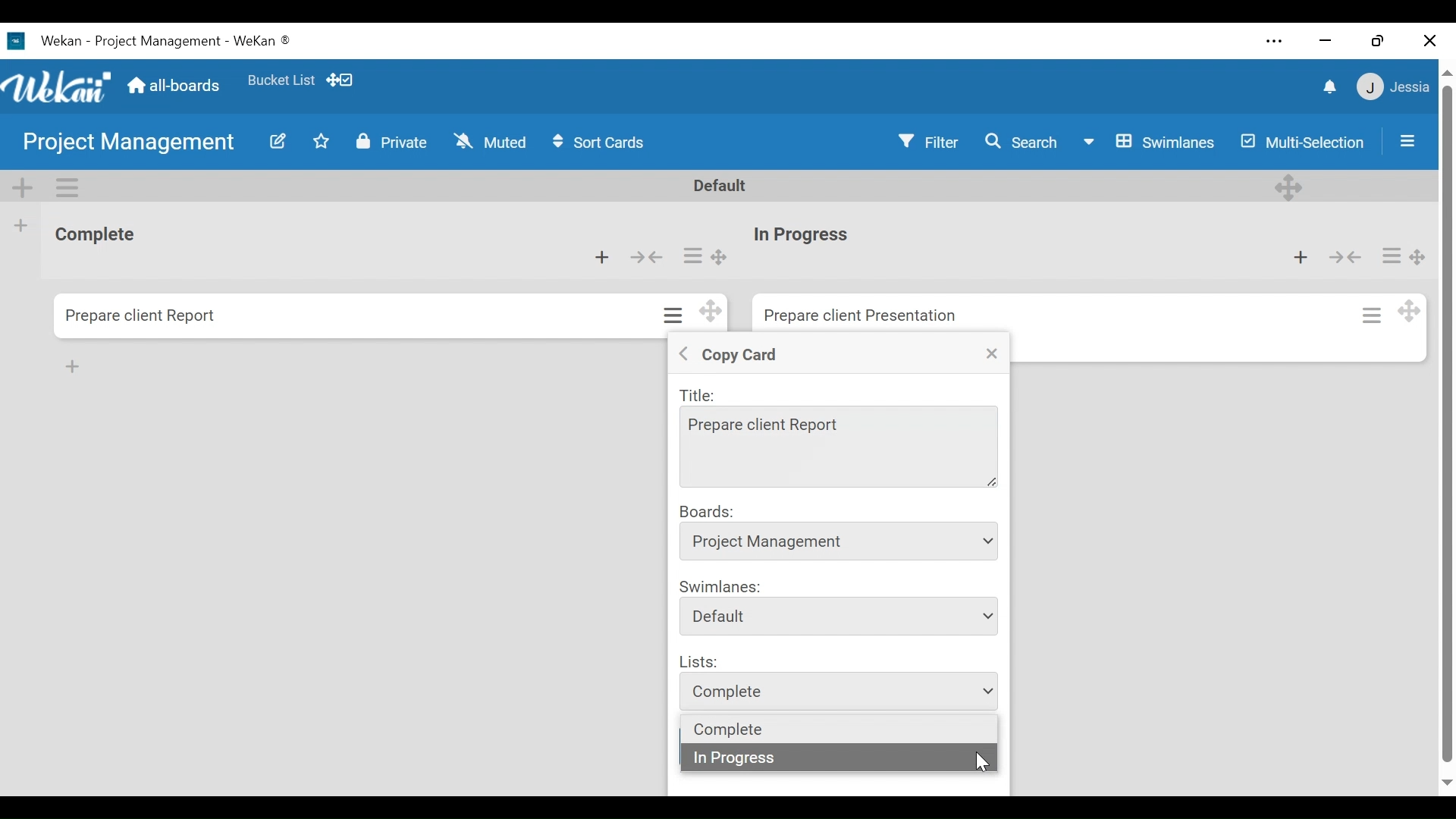 The height and width of the screenshot is (819, 1456). I want to click on Search, so click(1021, 140).